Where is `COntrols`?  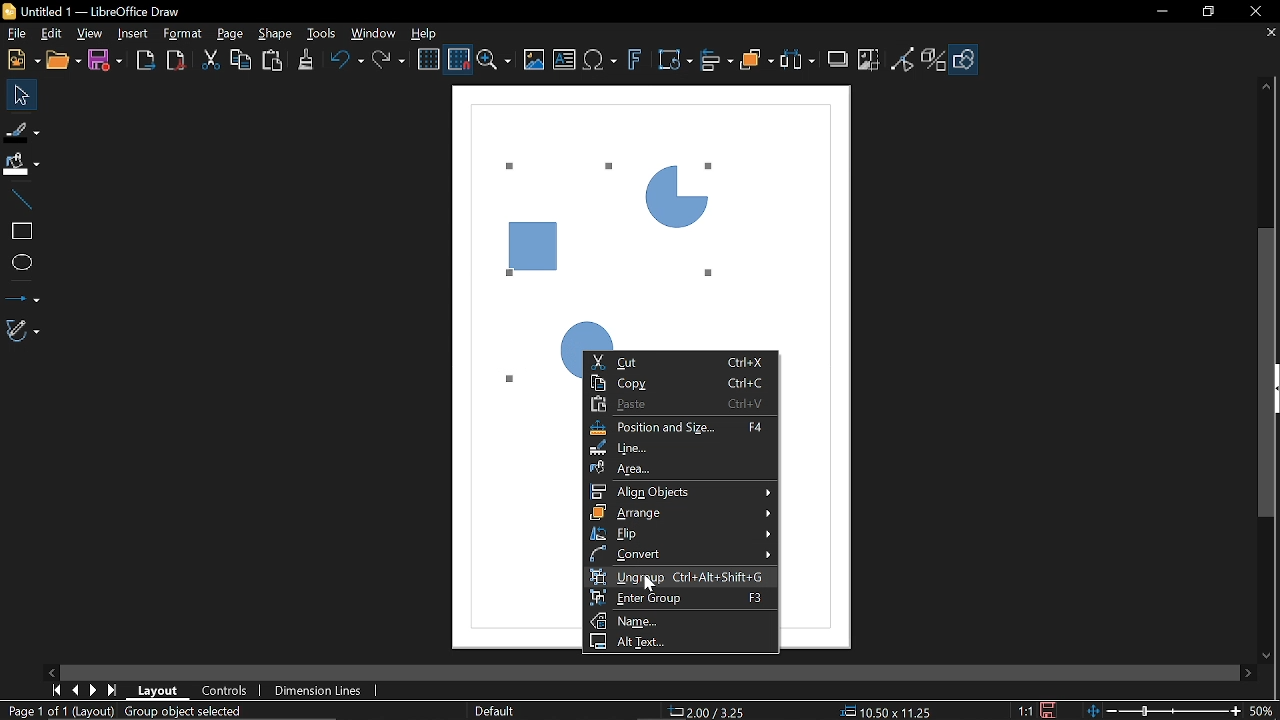 COntrols is located at coordinates (225, 691).